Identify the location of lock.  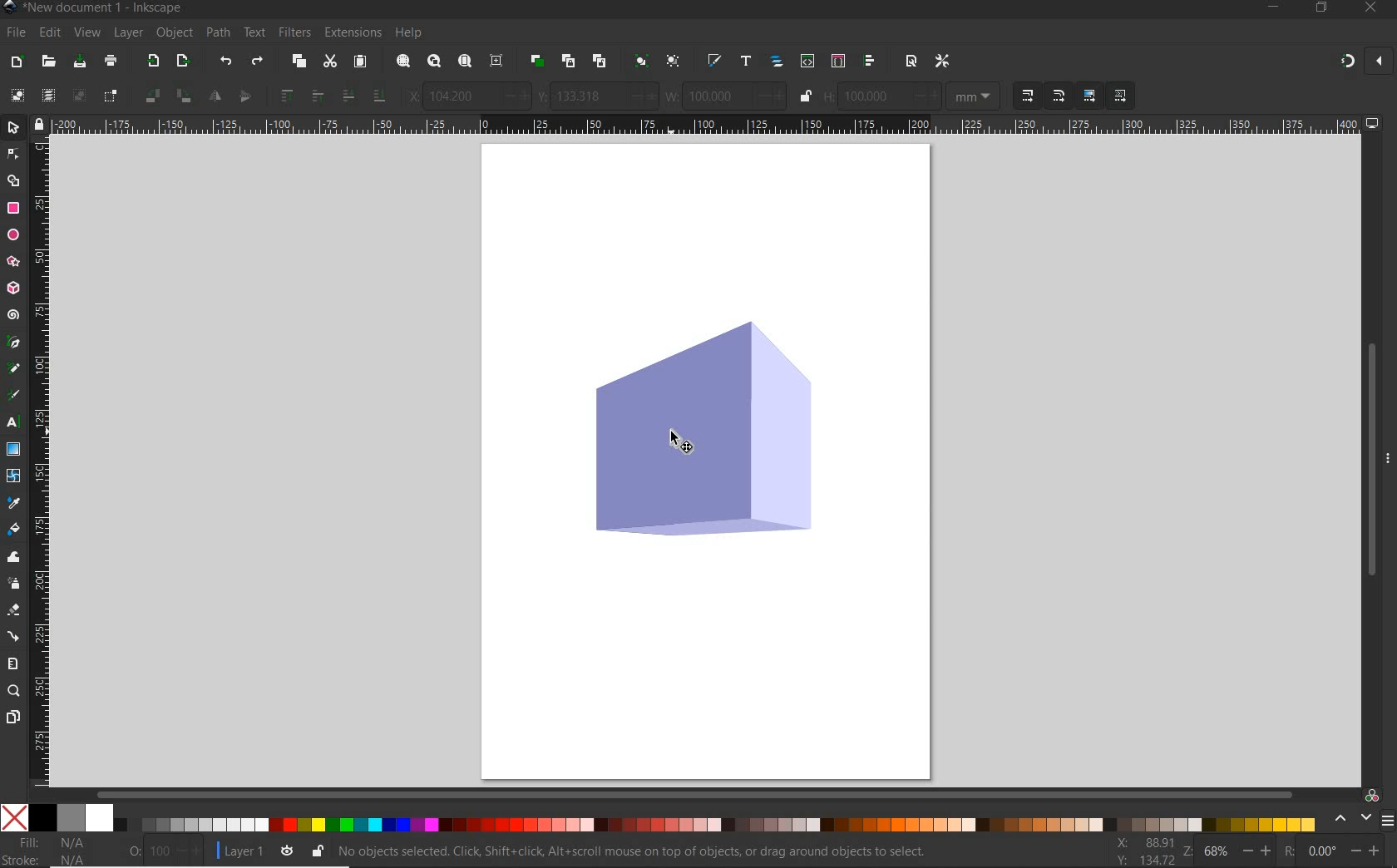
(37, 123).